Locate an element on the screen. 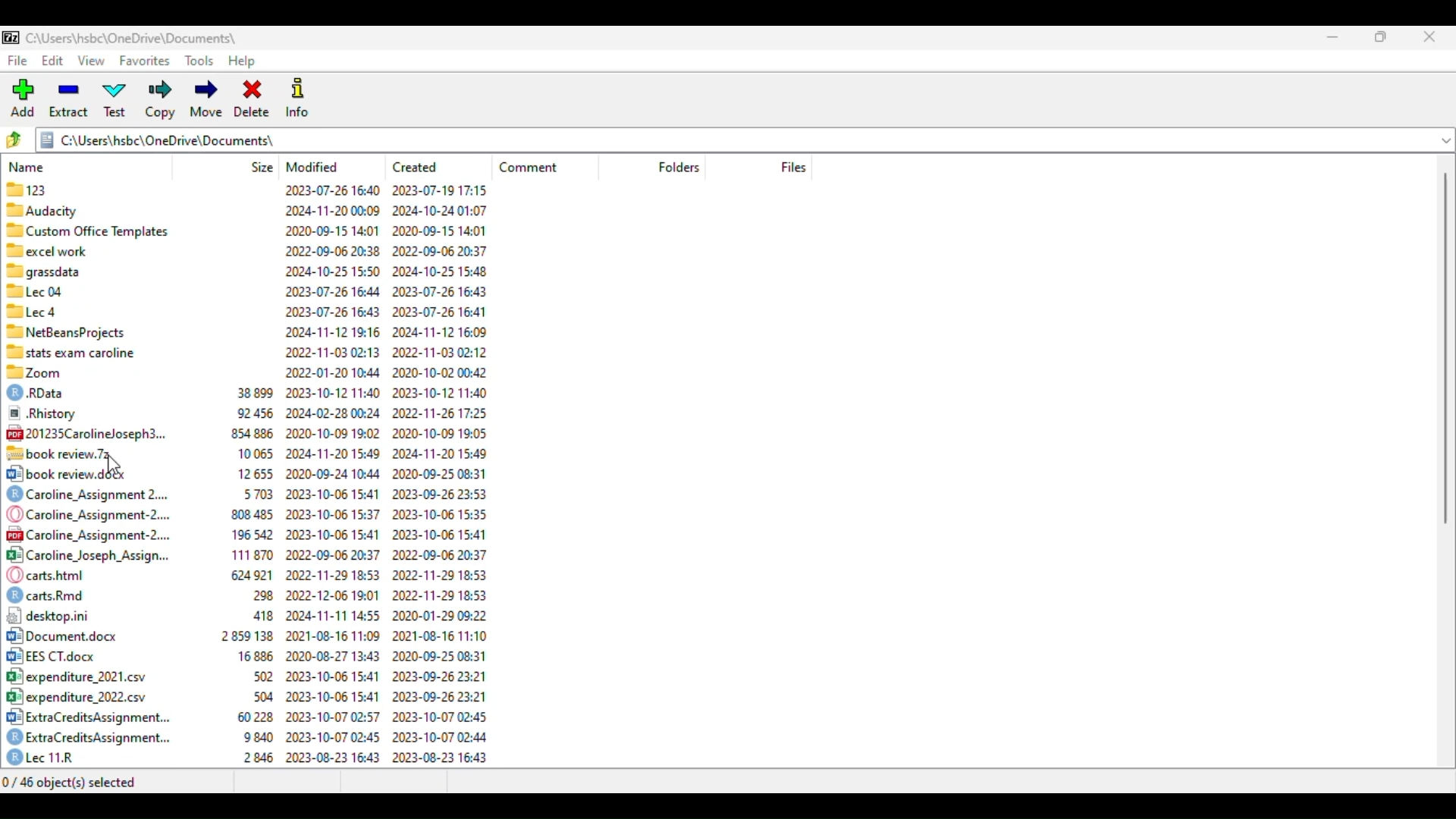 This screenshot has height=819, width=1456. ) cartsRmd 298 2022-12-06 19:01 2022-11-29 18:53 is located at coordinates (247, 595).